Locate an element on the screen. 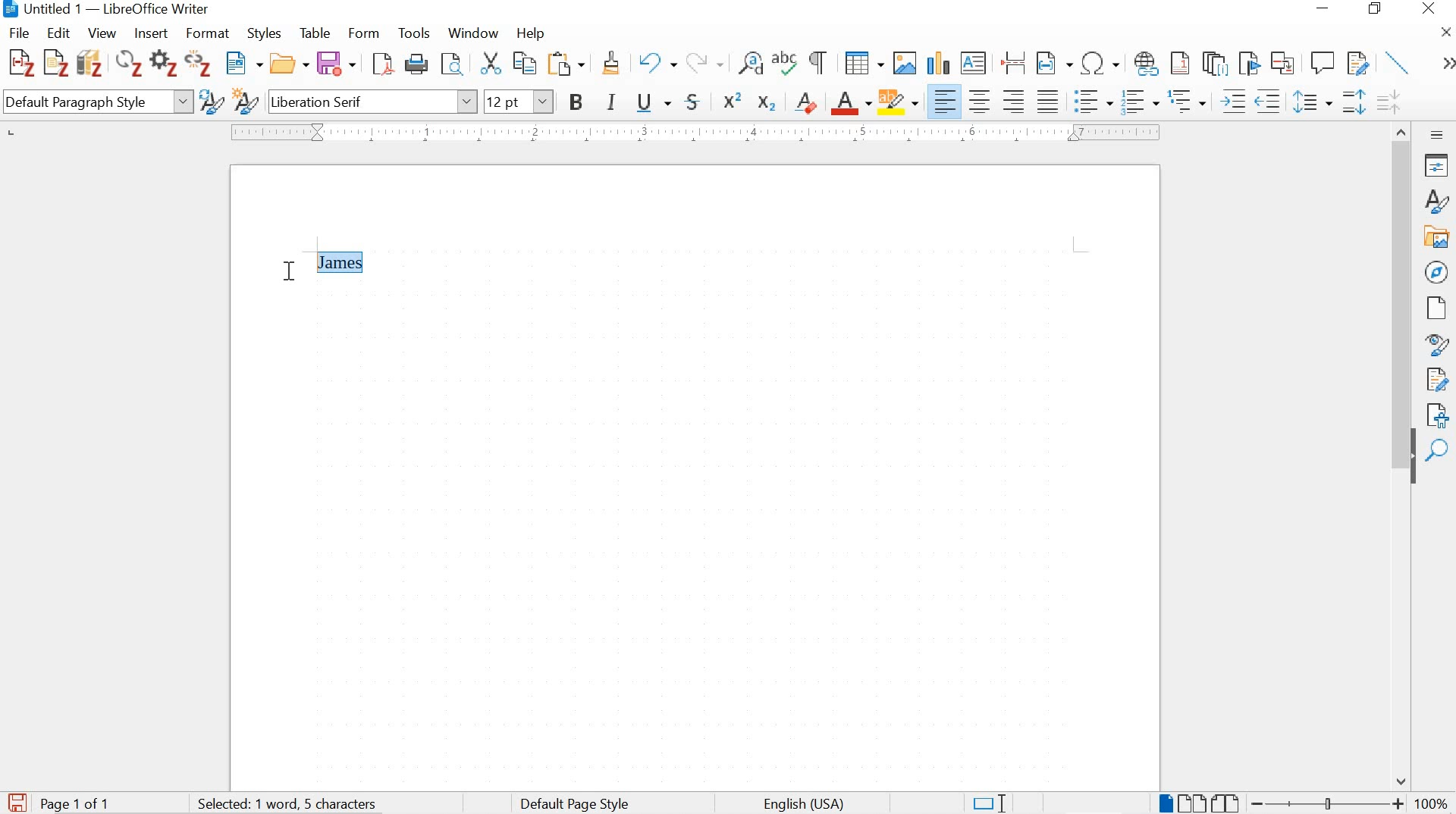 Image resolution: width=1456 pixels, height=814 pixels. scrollbar is located at coordinates (1402, 282).